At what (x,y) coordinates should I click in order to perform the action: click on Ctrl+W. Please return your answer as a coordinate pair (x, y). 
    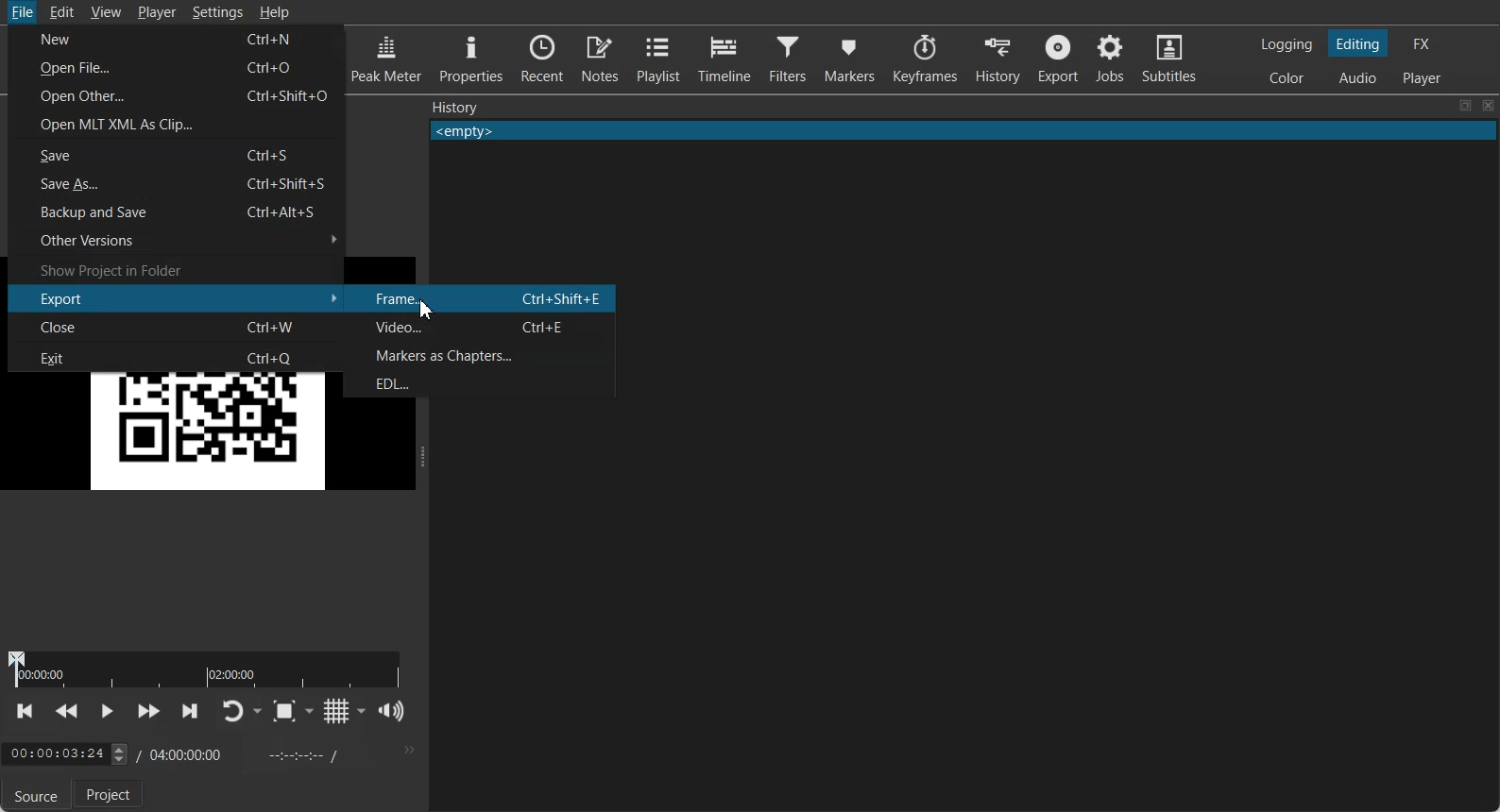
    Looking at the image, I should click on (274, 326).